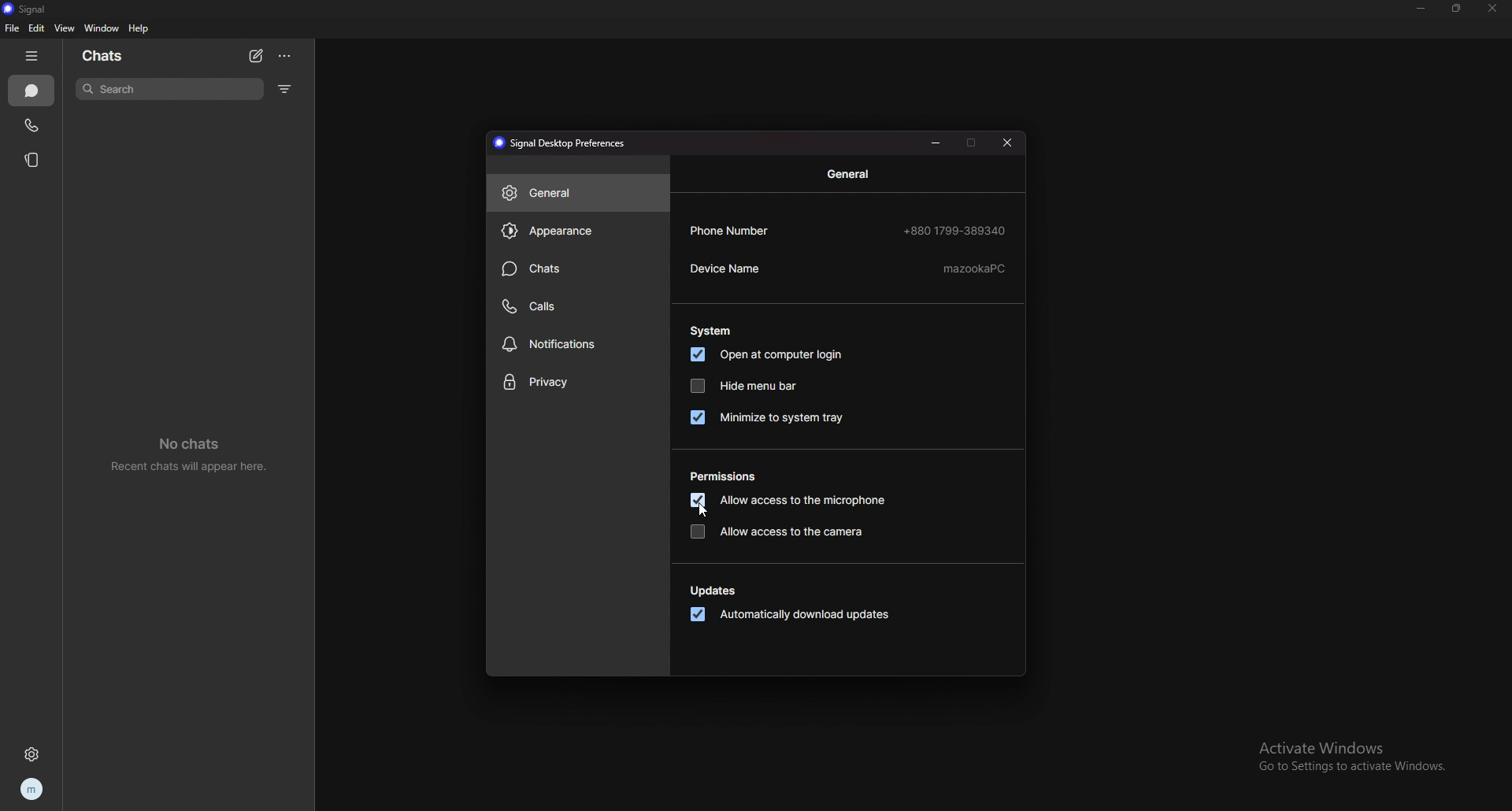 This screenshot has width=1512, height=811. Describe the element at coordinates (565, 143) in the screenshot. I see `signal desktop preferences` at that location.